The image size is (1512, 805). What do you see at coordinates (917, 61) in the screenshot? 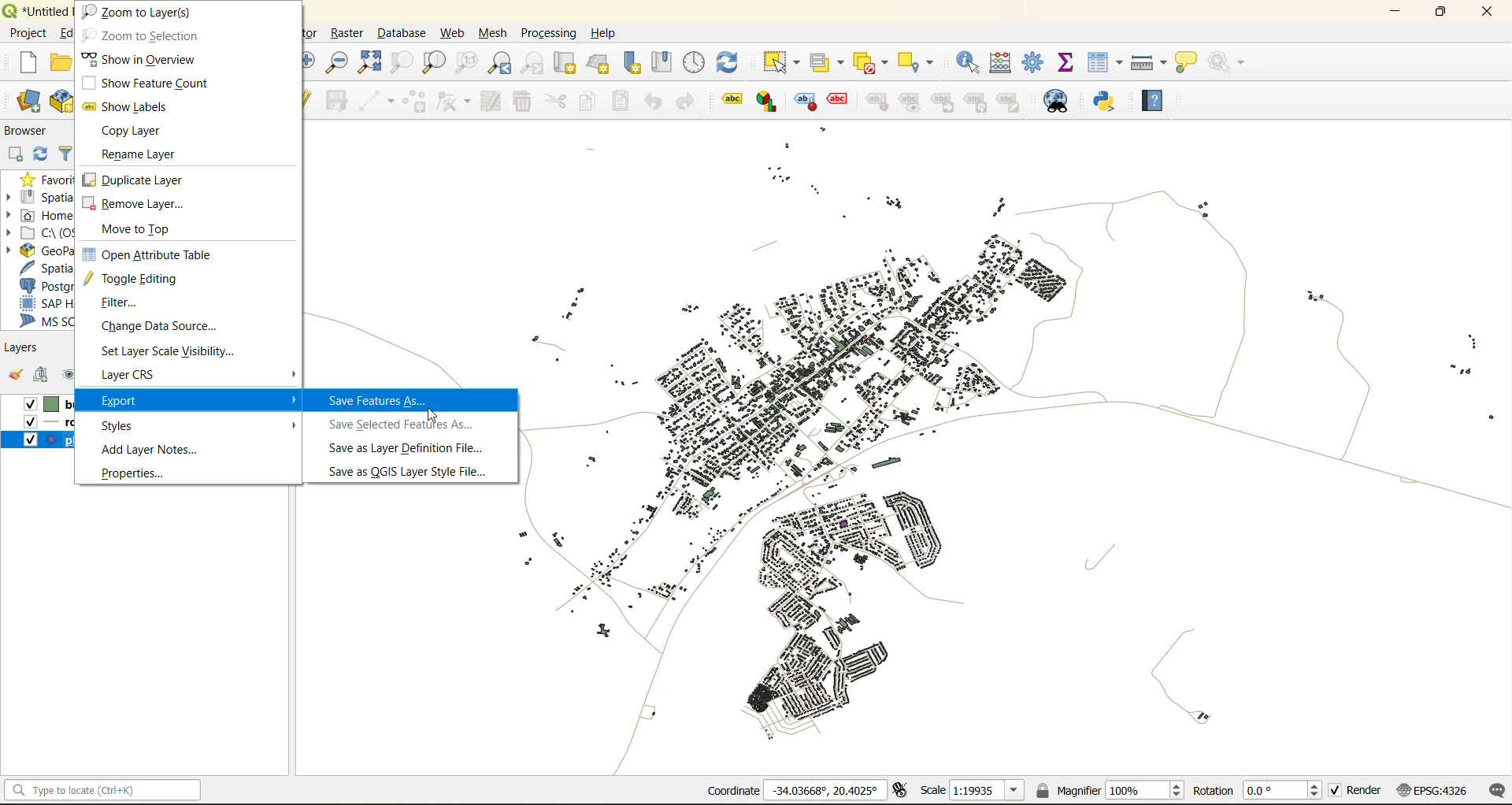
I see `select location` at bounding box center [917, 61].